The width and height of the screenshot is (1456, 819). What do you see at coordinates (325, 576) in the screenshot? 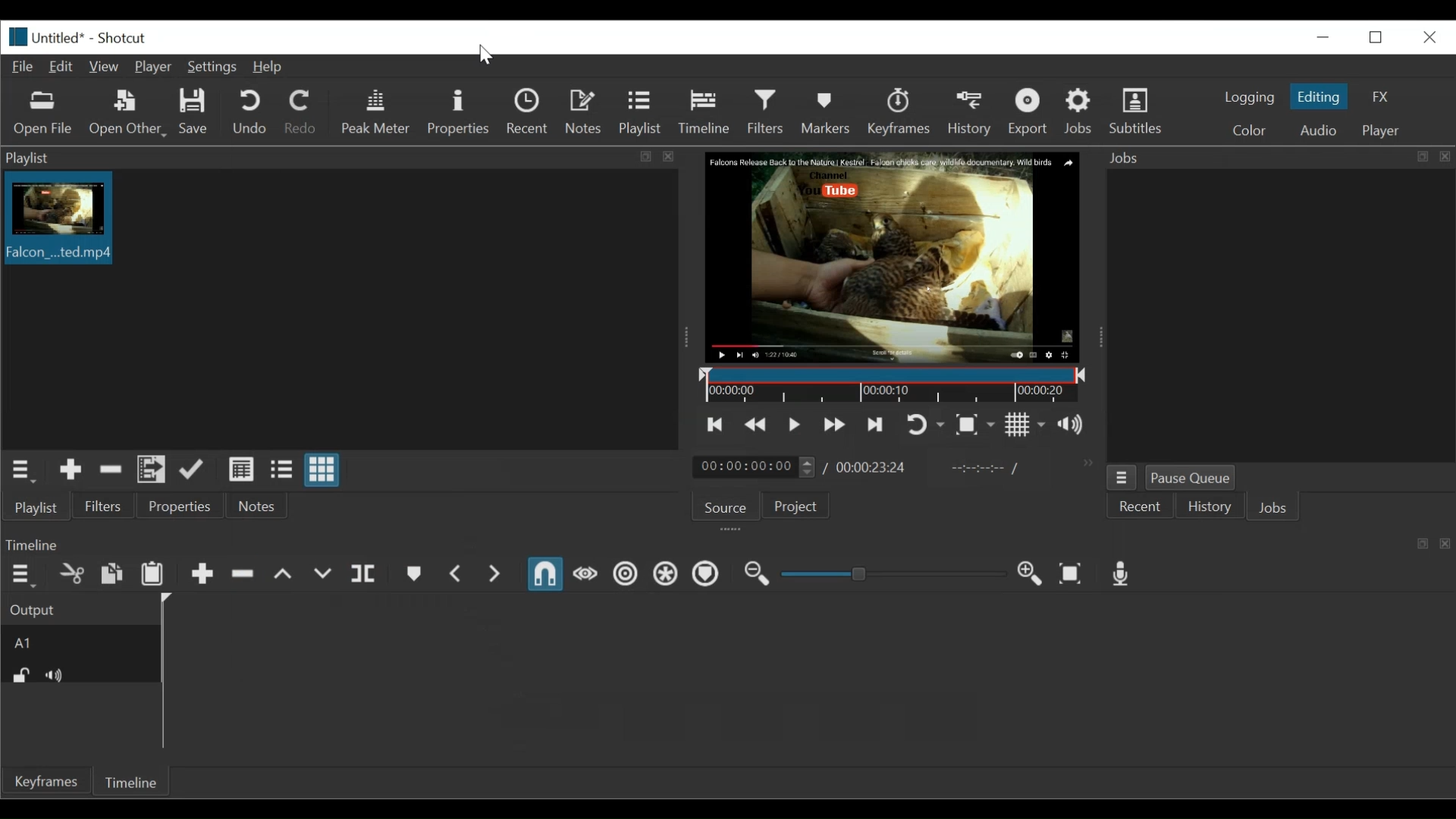
I see `Overwrite` at bounding box center [325, 576].